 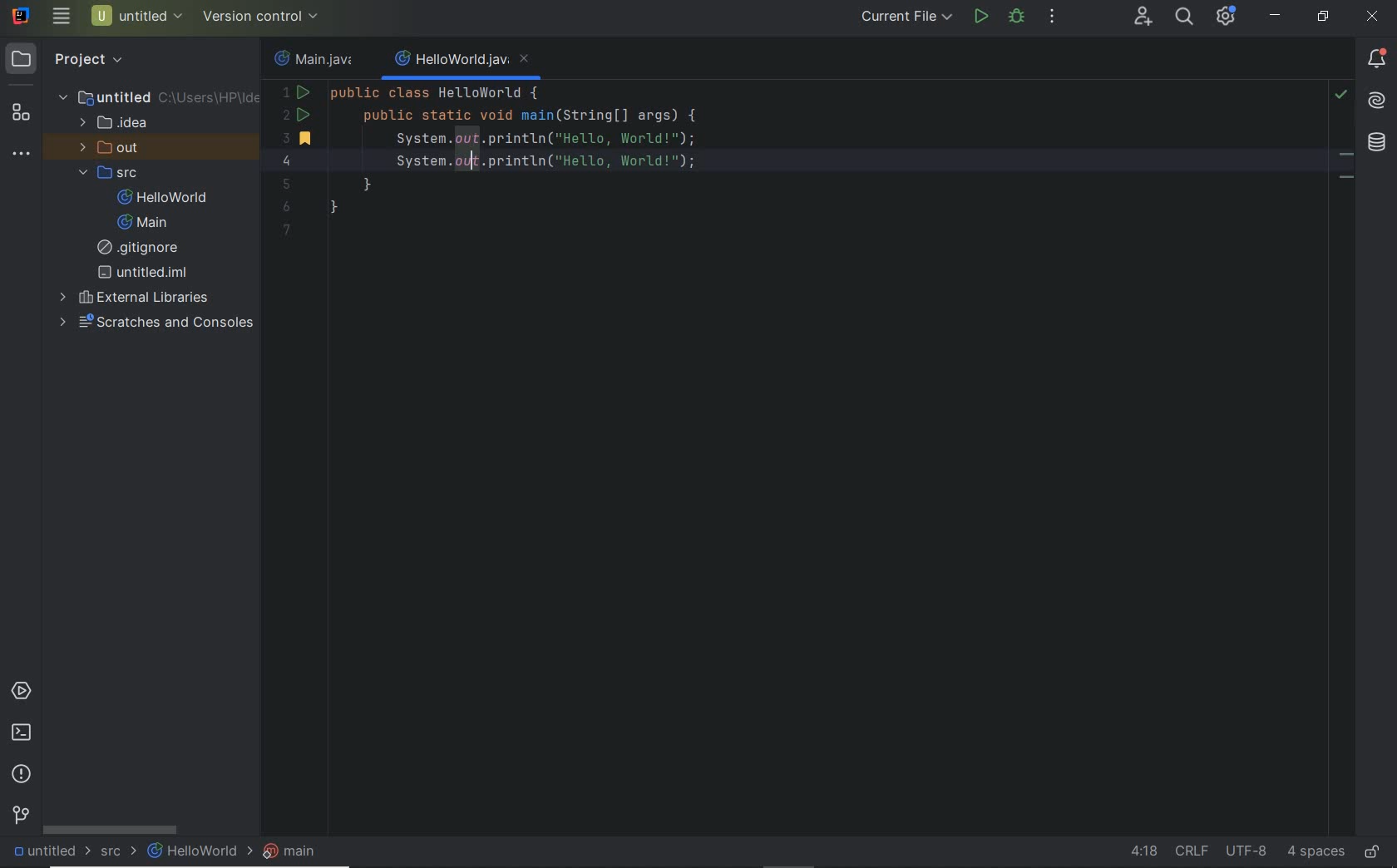 I want to click on services, so click(x=22, y=692).